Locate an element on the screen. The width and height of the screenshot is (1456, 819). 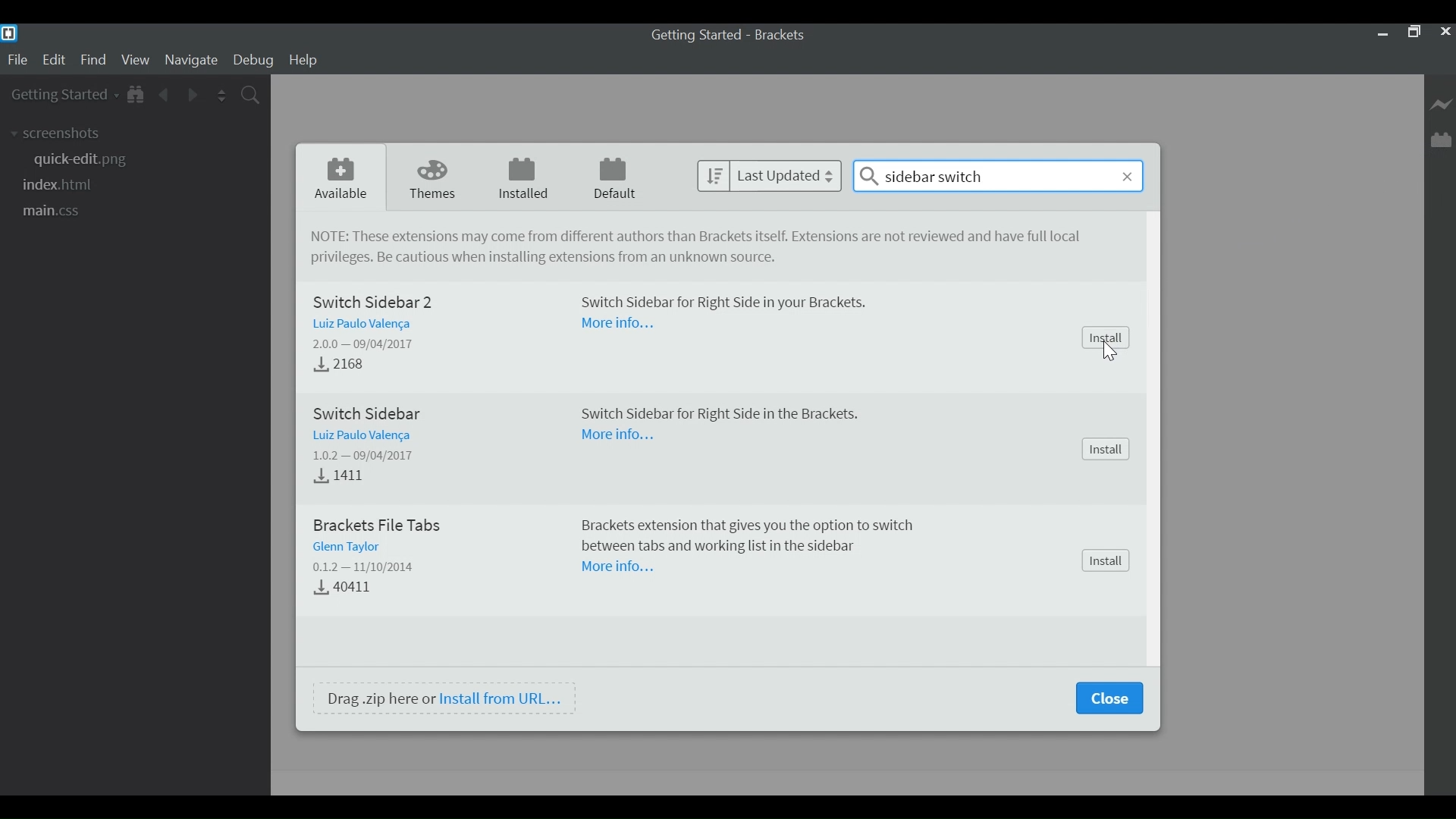
Navigate is located at coordinates (193, 61).